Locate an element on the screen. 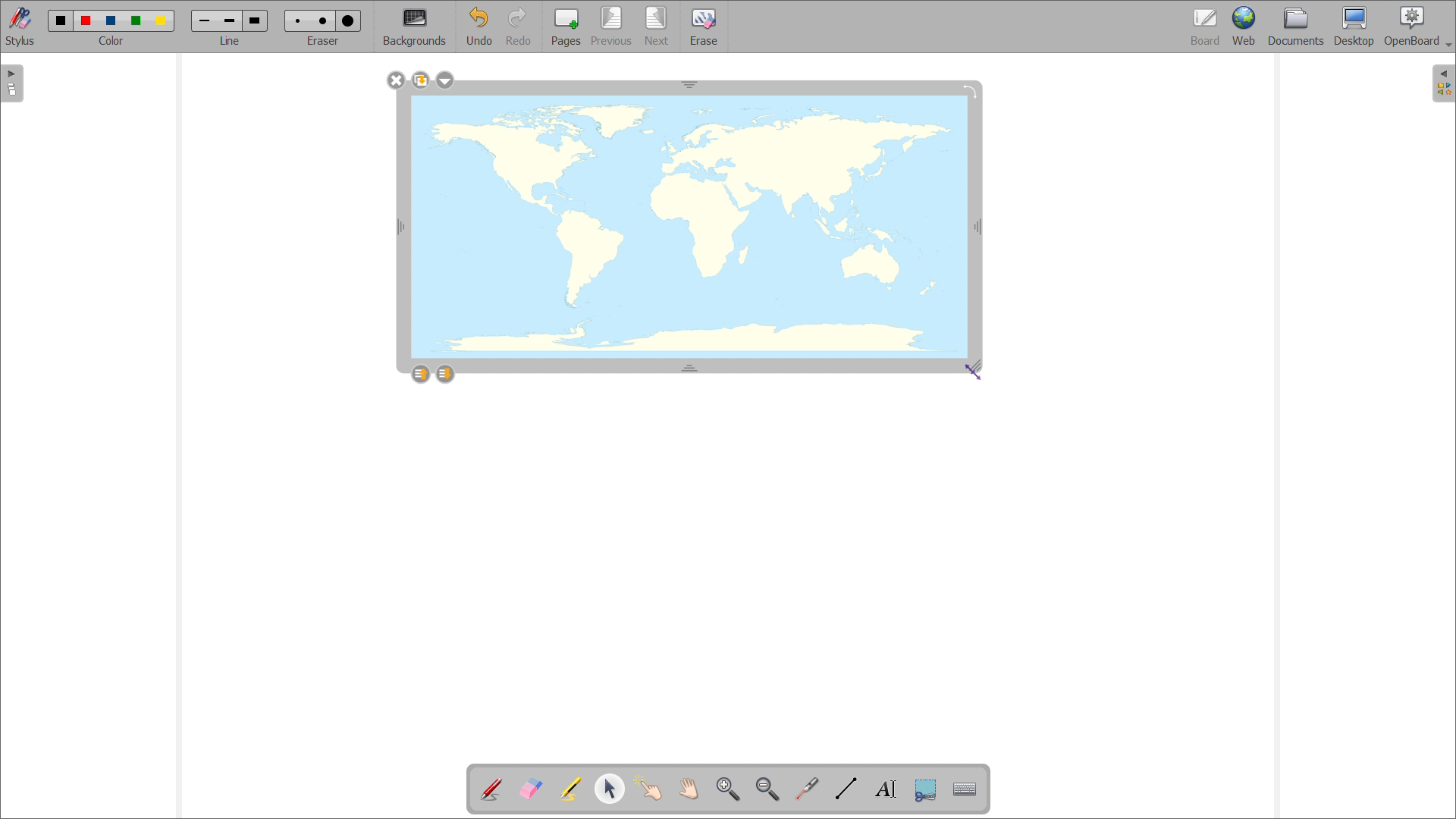  previous page is located at coordinates (611, 27).